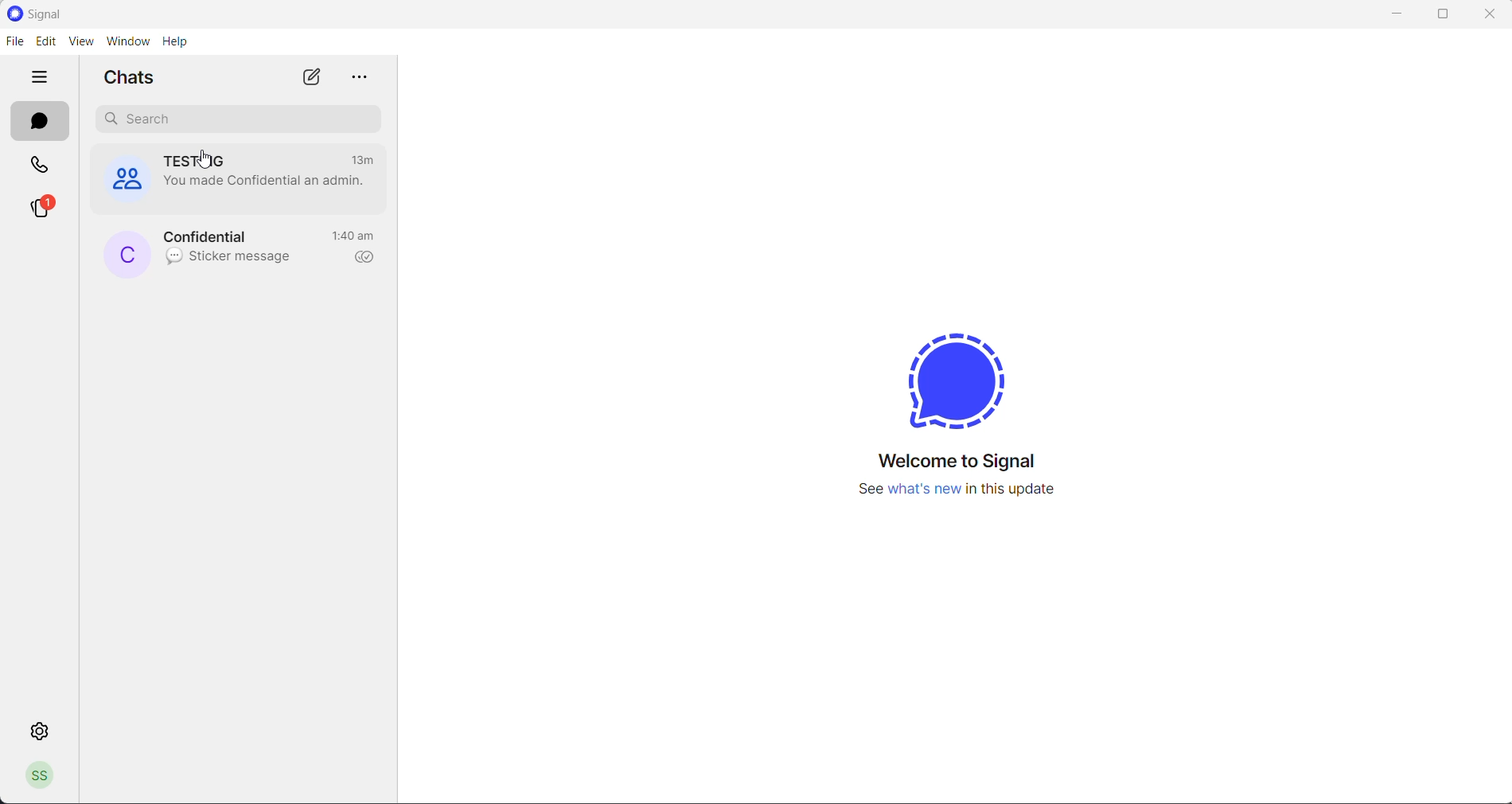 The height and width of the screenshot is (804, 1512). Describe the element at coordinates (41, 120) in the screenshot. I see `chats` at that location.